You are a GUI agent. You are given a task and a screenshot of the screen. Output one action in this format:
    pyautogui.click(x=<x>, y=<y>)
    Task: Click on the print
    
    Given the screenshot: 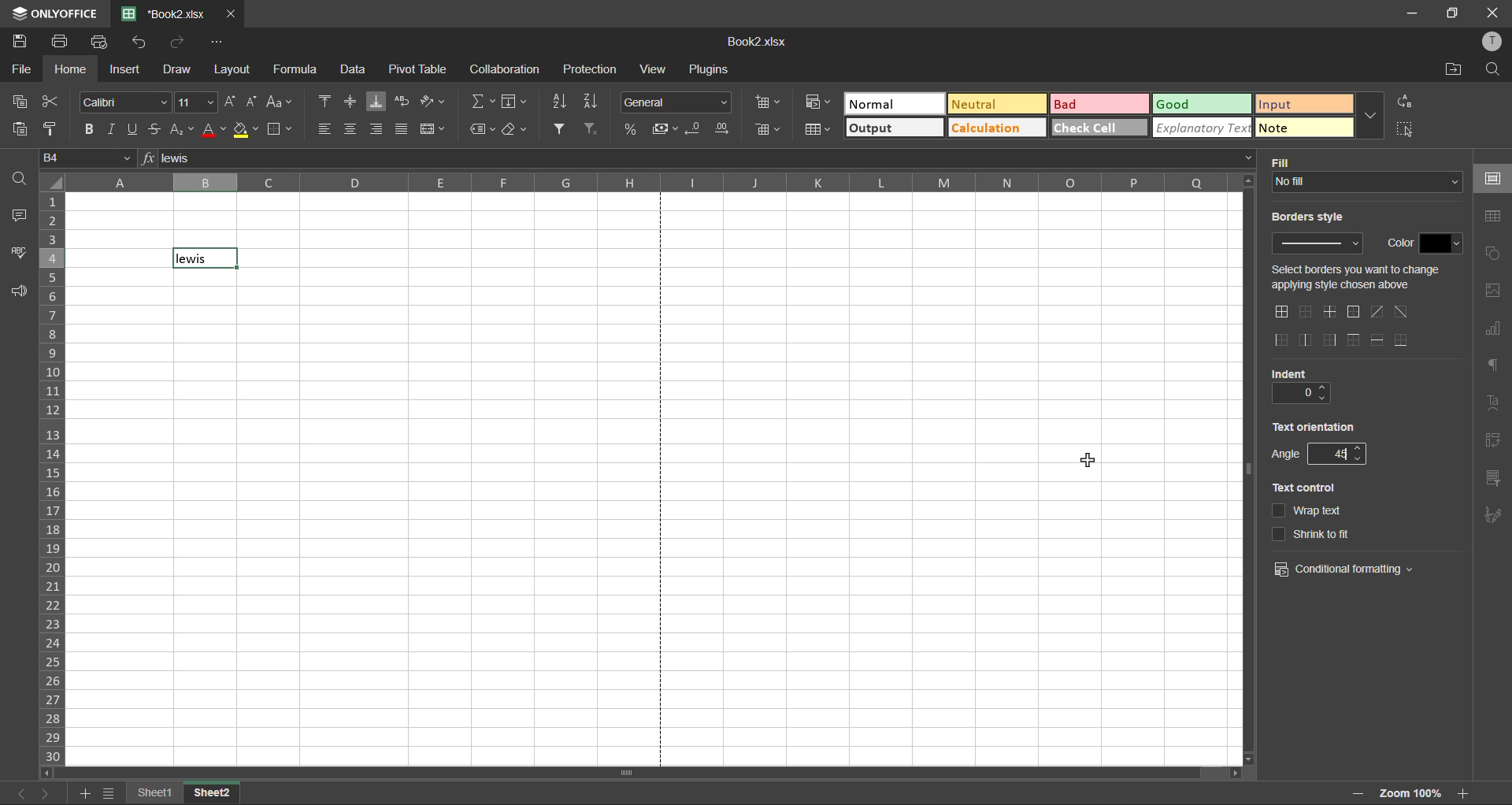 What is the action you would take?
    pyautogui.click(x=59, y=41)
    